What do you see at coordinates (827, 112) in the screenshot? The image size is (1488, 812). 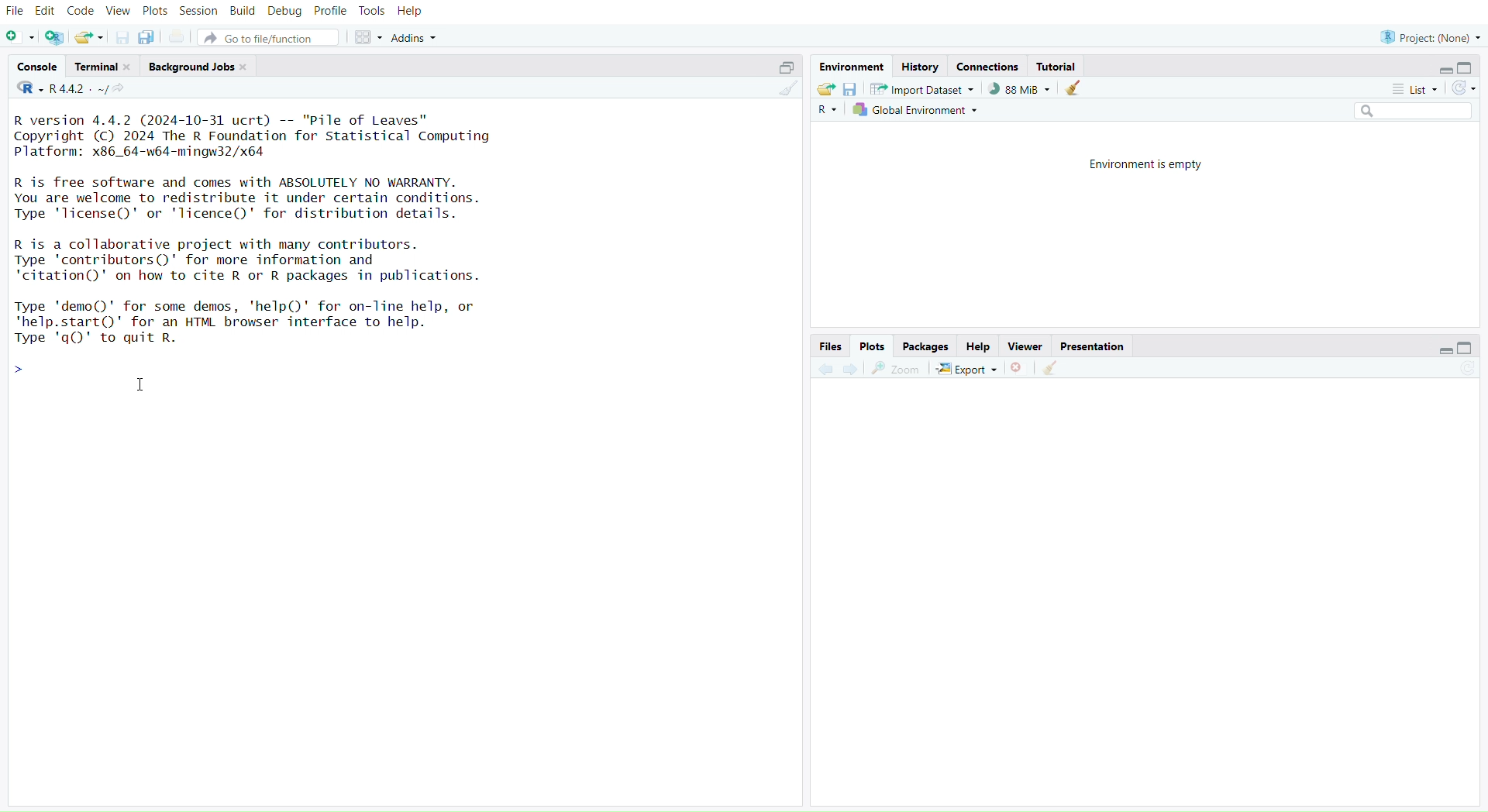 I see `R` at bounding box center [827, 112].